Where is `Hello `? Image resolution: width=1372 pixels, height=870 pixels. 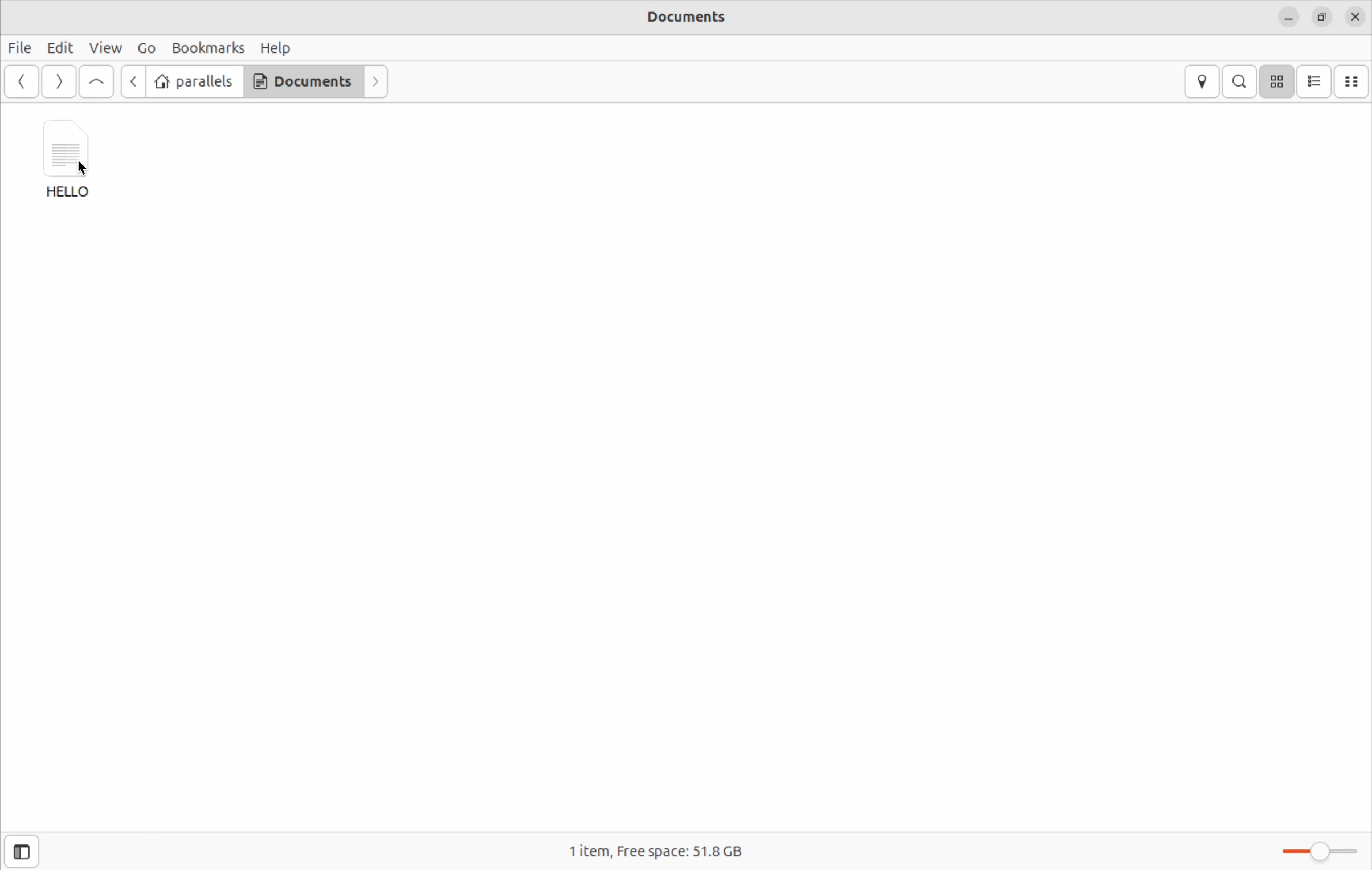 Hello  is located at coordinates (65, 160).